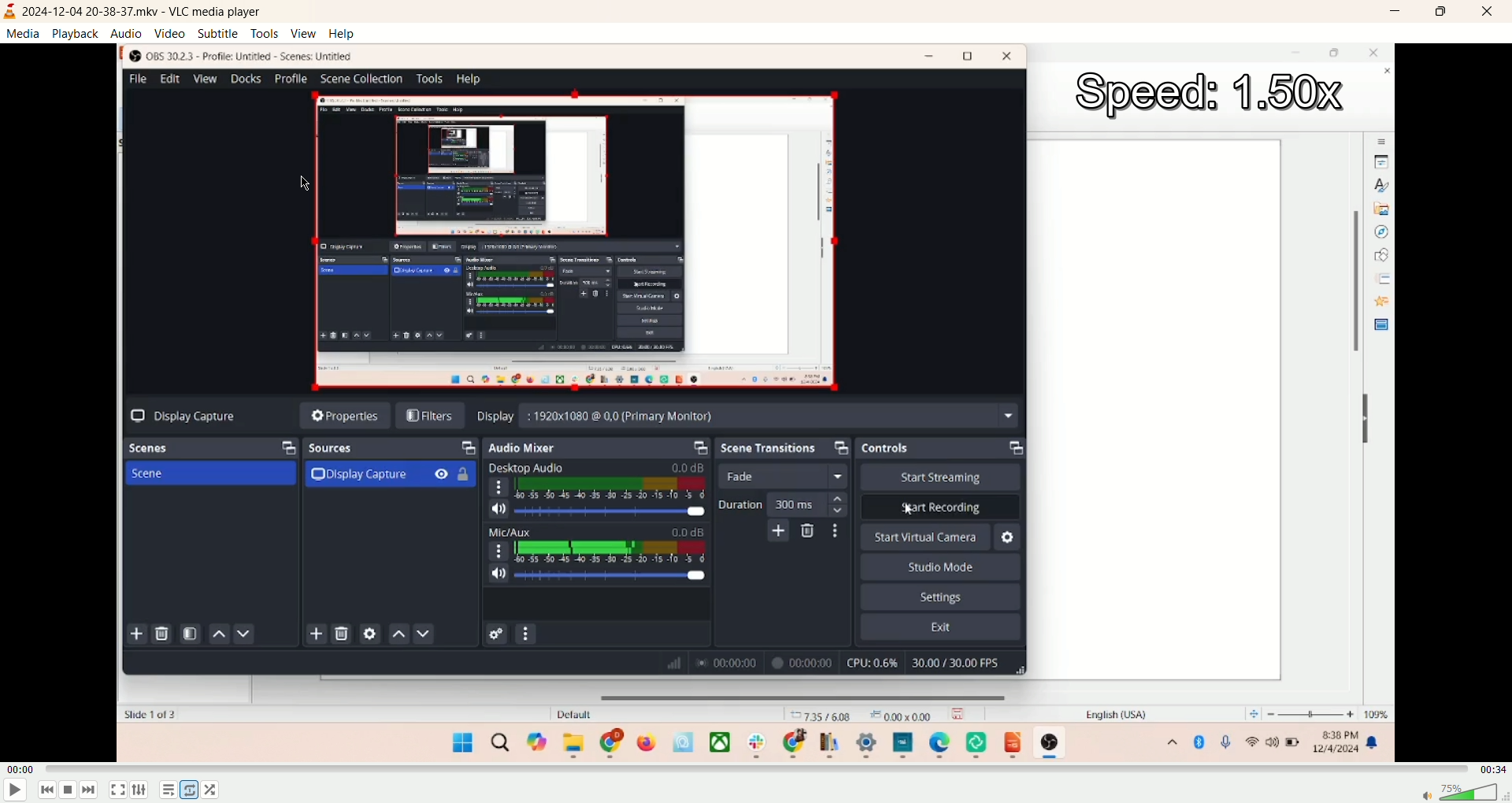 This screenshot has height=803, width=1512. What do you see at coordinates (753, 769) in the screenshot?
I see `progress bar` at bounding box center [753, 769].